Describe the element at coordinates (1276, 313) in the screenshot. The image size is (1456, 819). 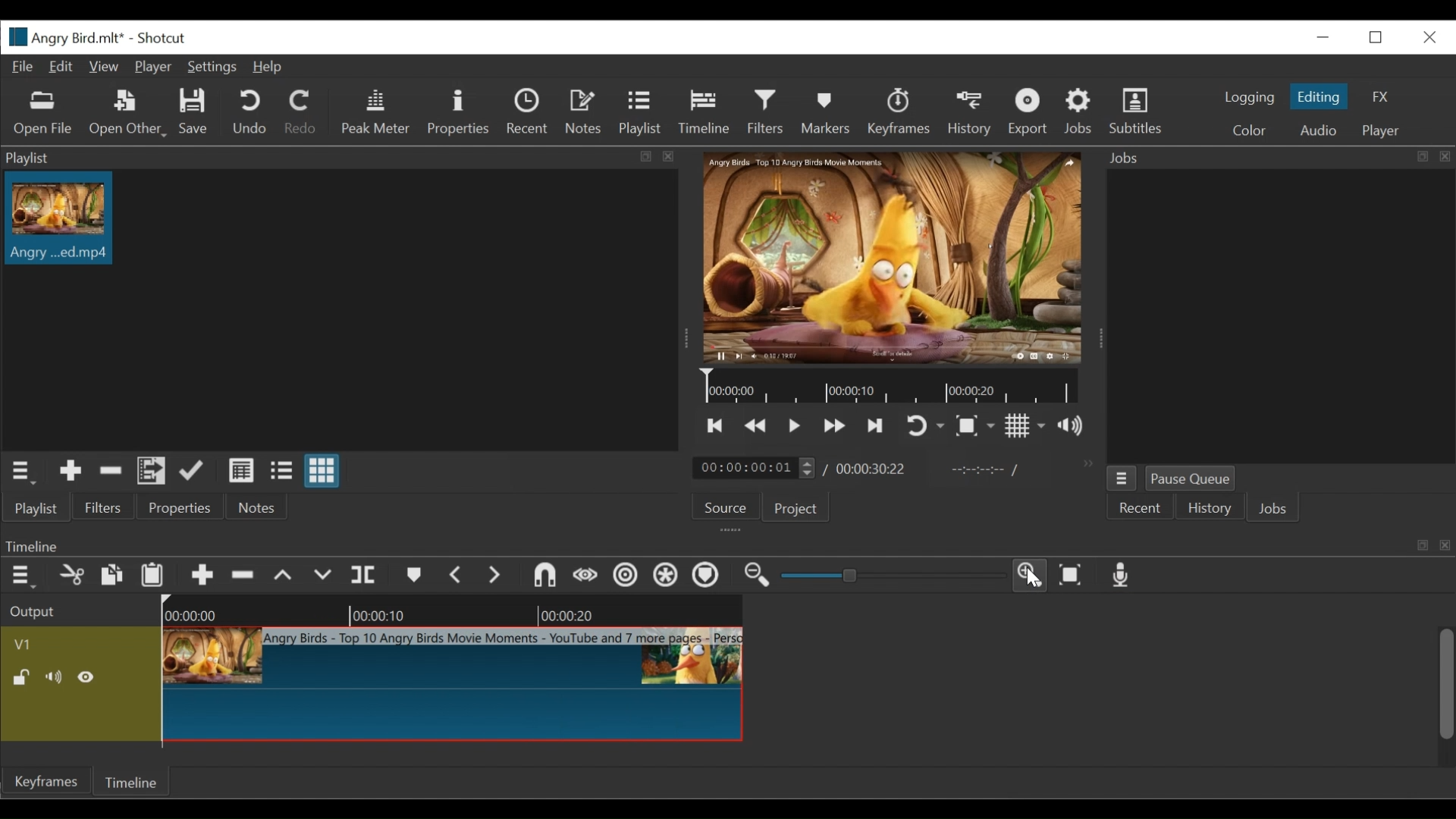
I see `Jobs Panel` at that location.